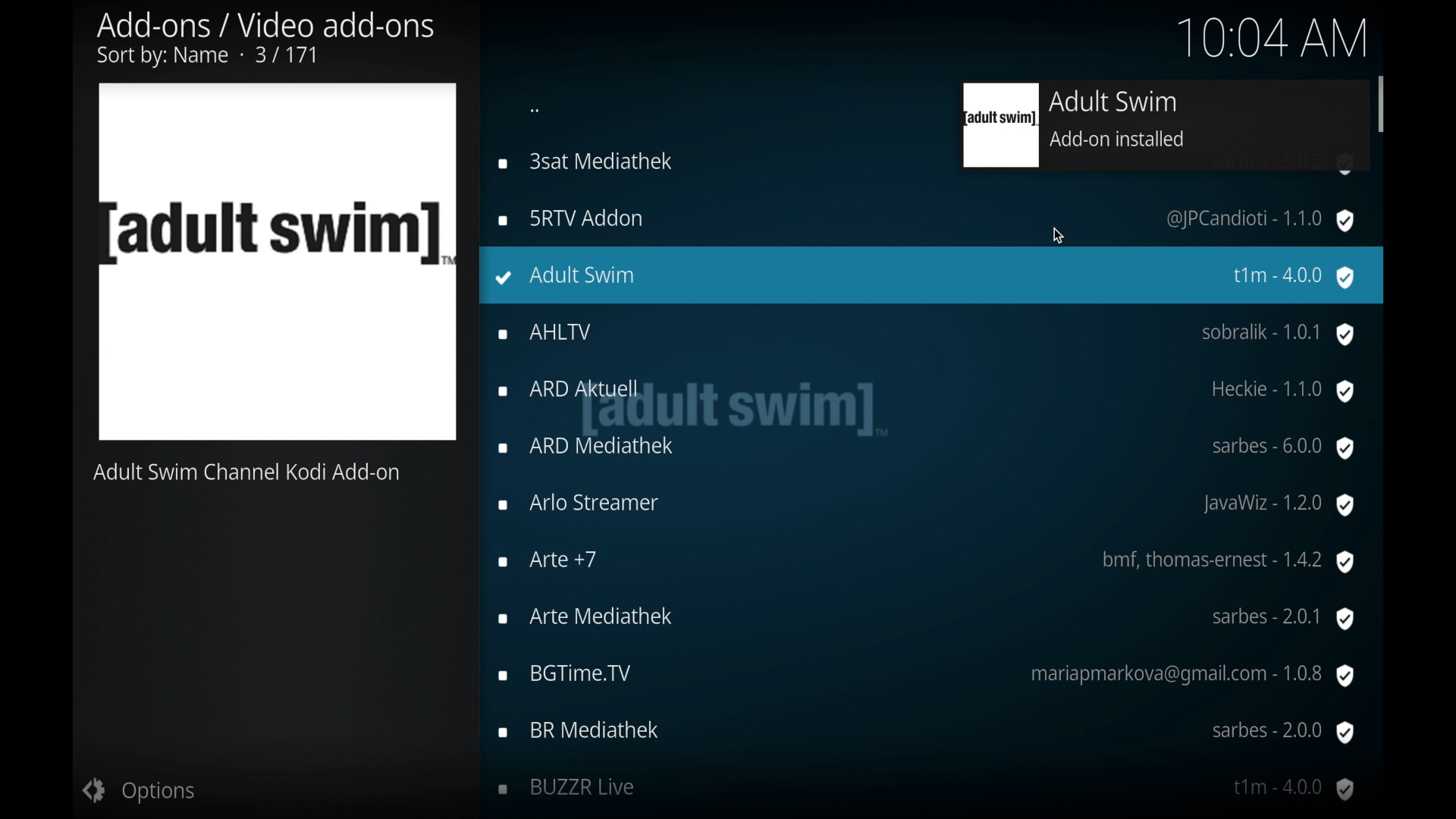 This screenshot has height=819, width=1456. I want to click on arte, so click(928, 619).